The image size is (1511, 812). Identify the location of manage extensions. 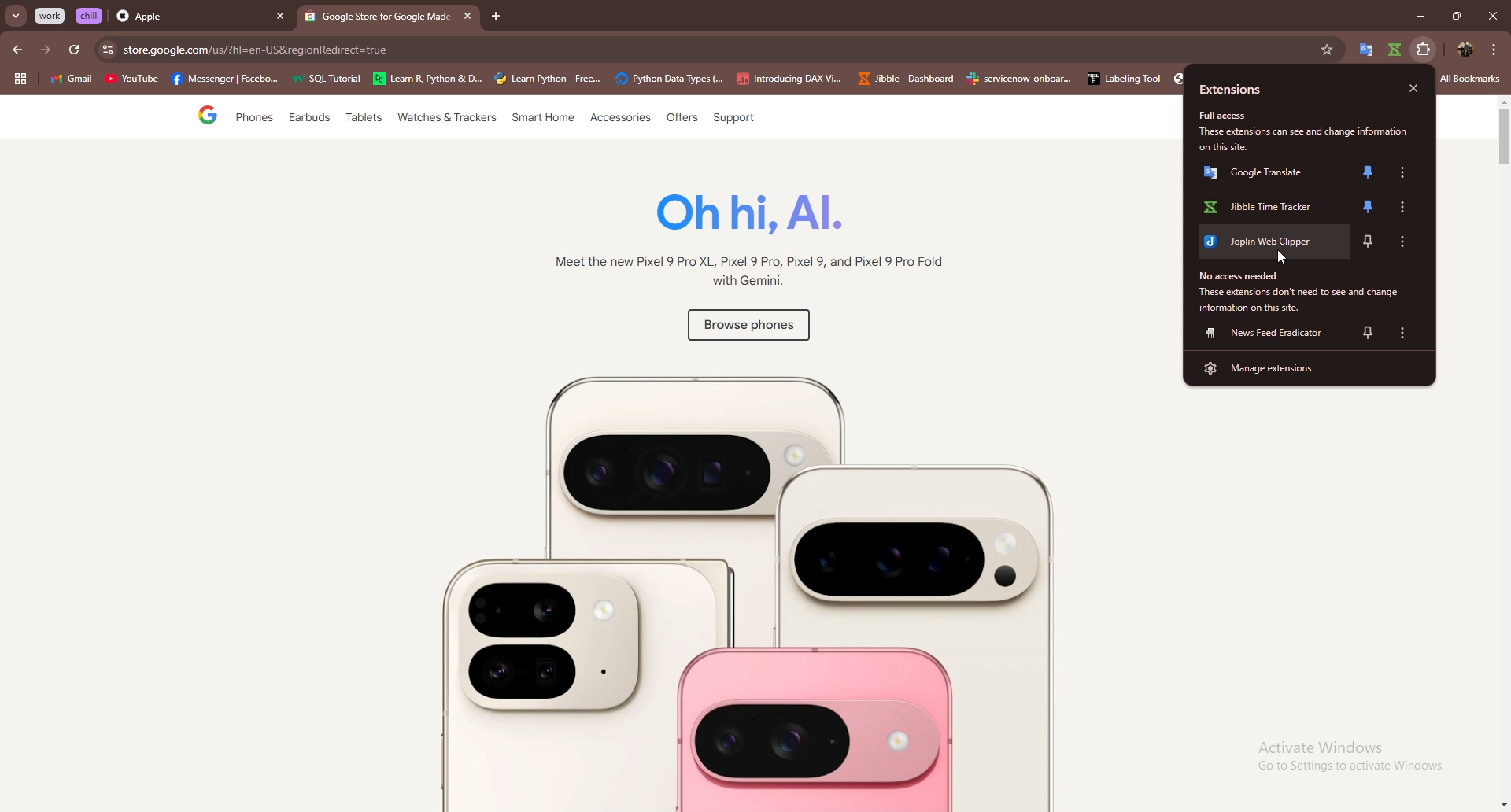
(1308, 367).